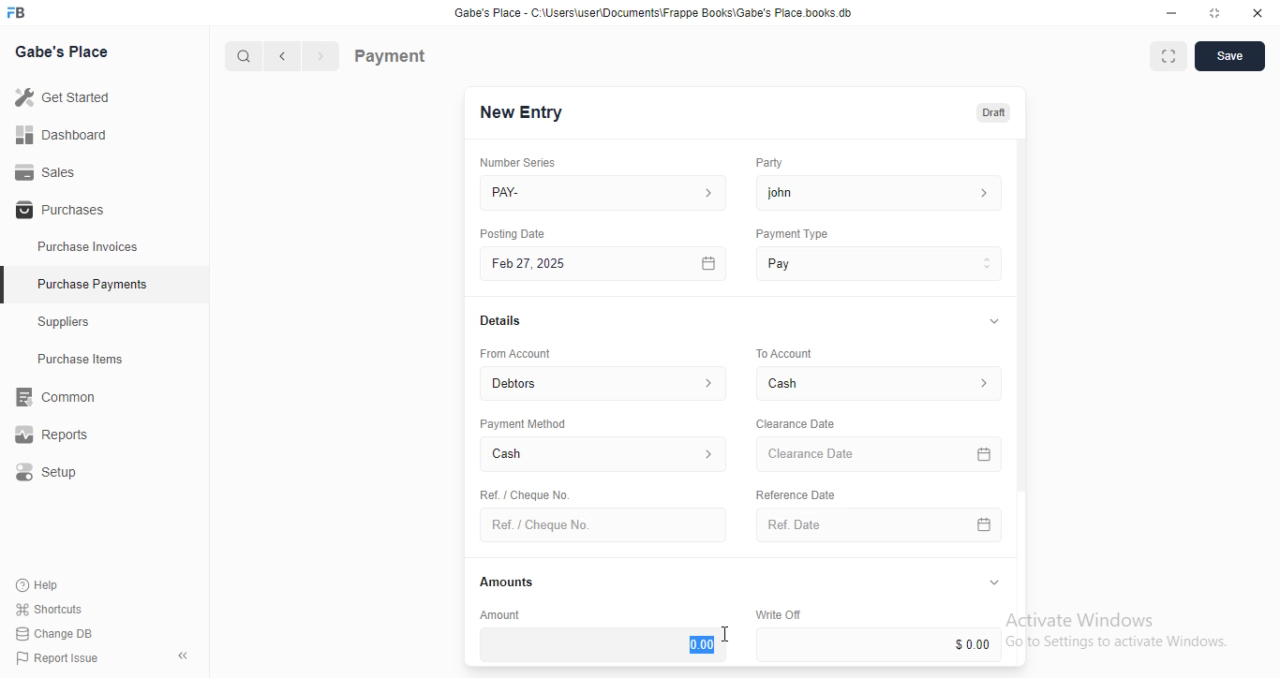 This screenshot has width=1280, height=678. I want to click on Ref. / Cheque No., so click(602, 525).